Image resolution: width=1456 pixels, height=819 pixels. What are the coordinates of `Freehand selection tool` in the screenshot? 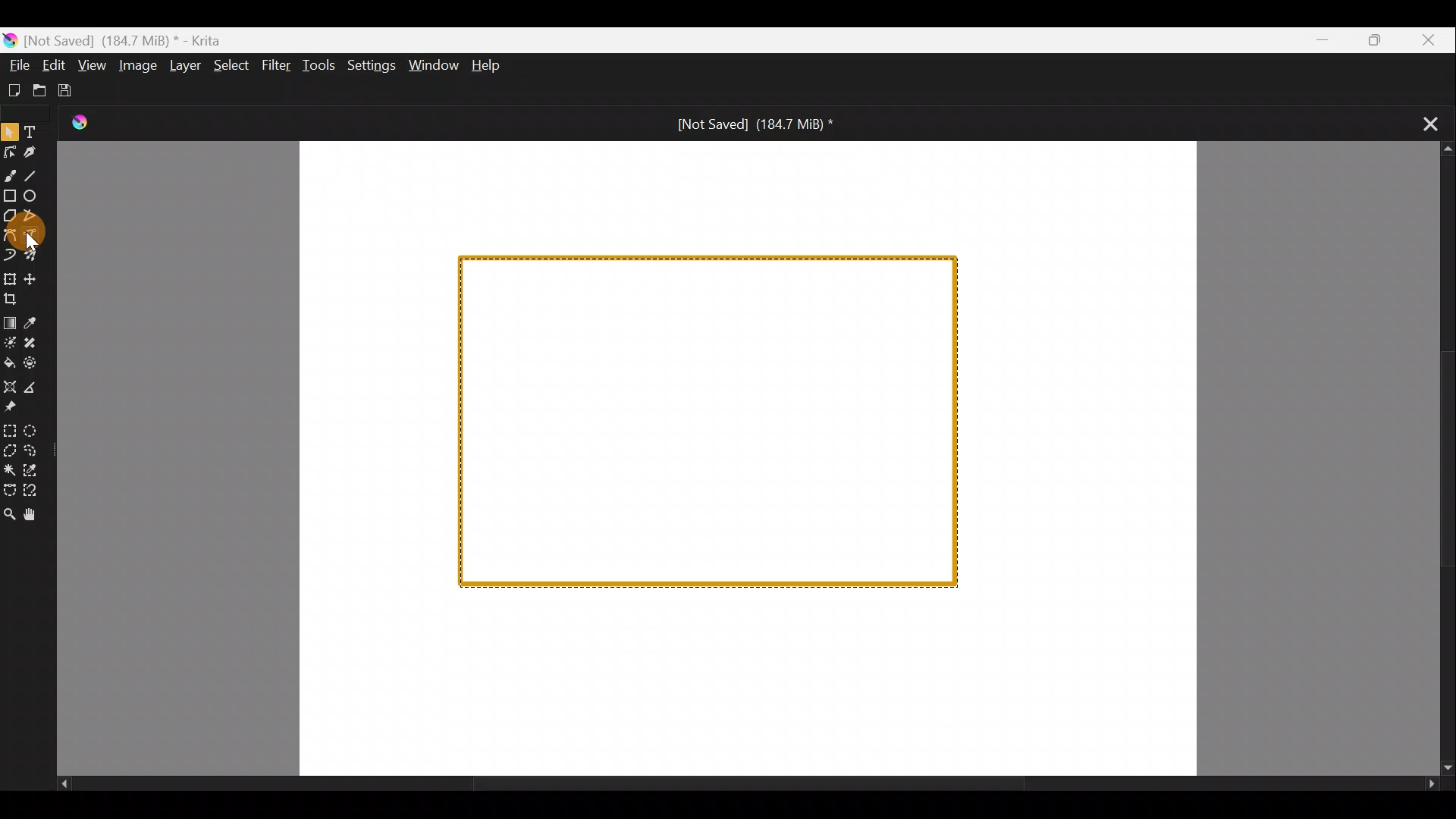 It's located at (39, 453).